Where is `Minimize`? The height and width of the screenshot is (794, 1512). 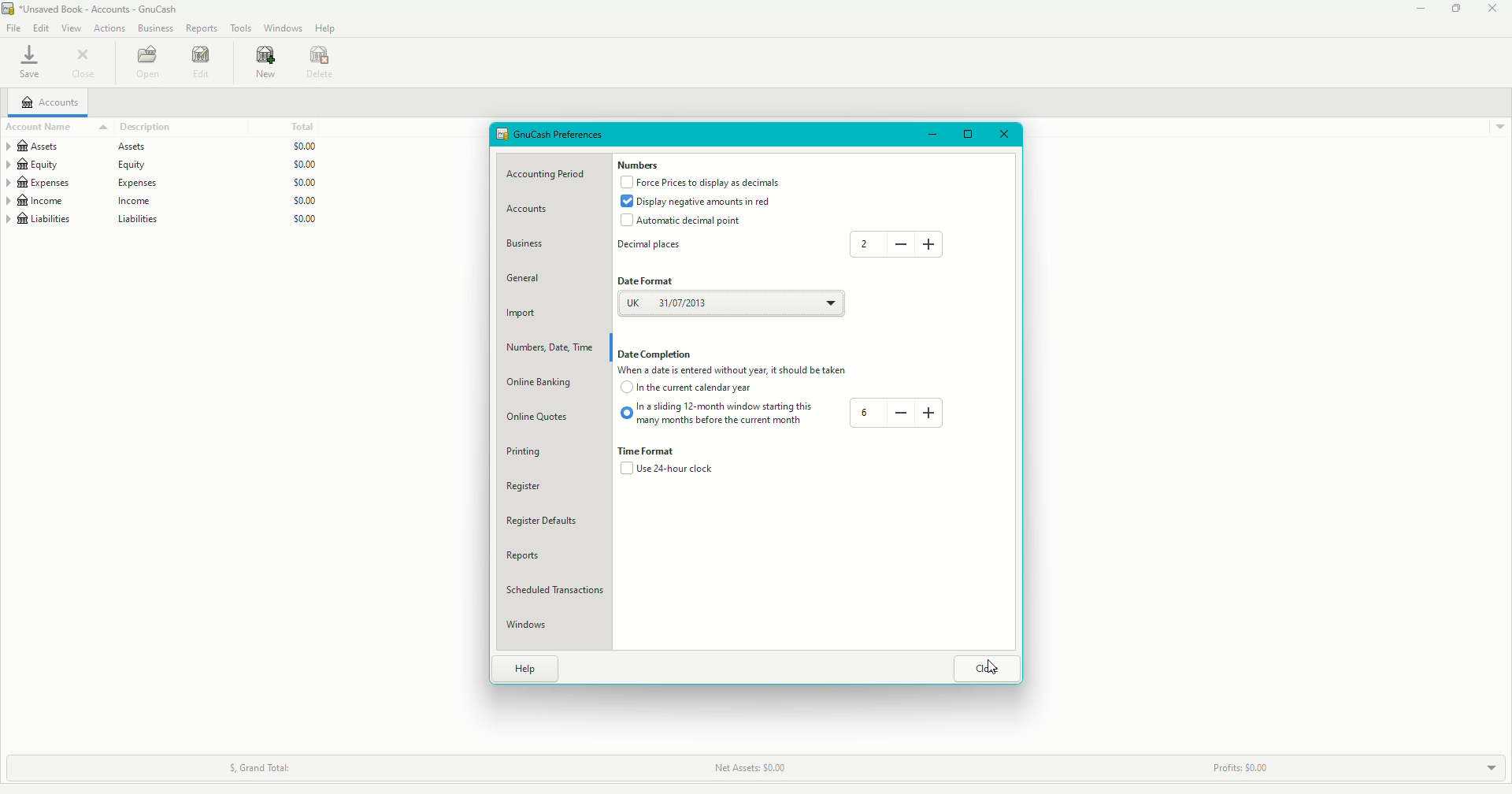
Minimize is located at coordinates (934, 134).